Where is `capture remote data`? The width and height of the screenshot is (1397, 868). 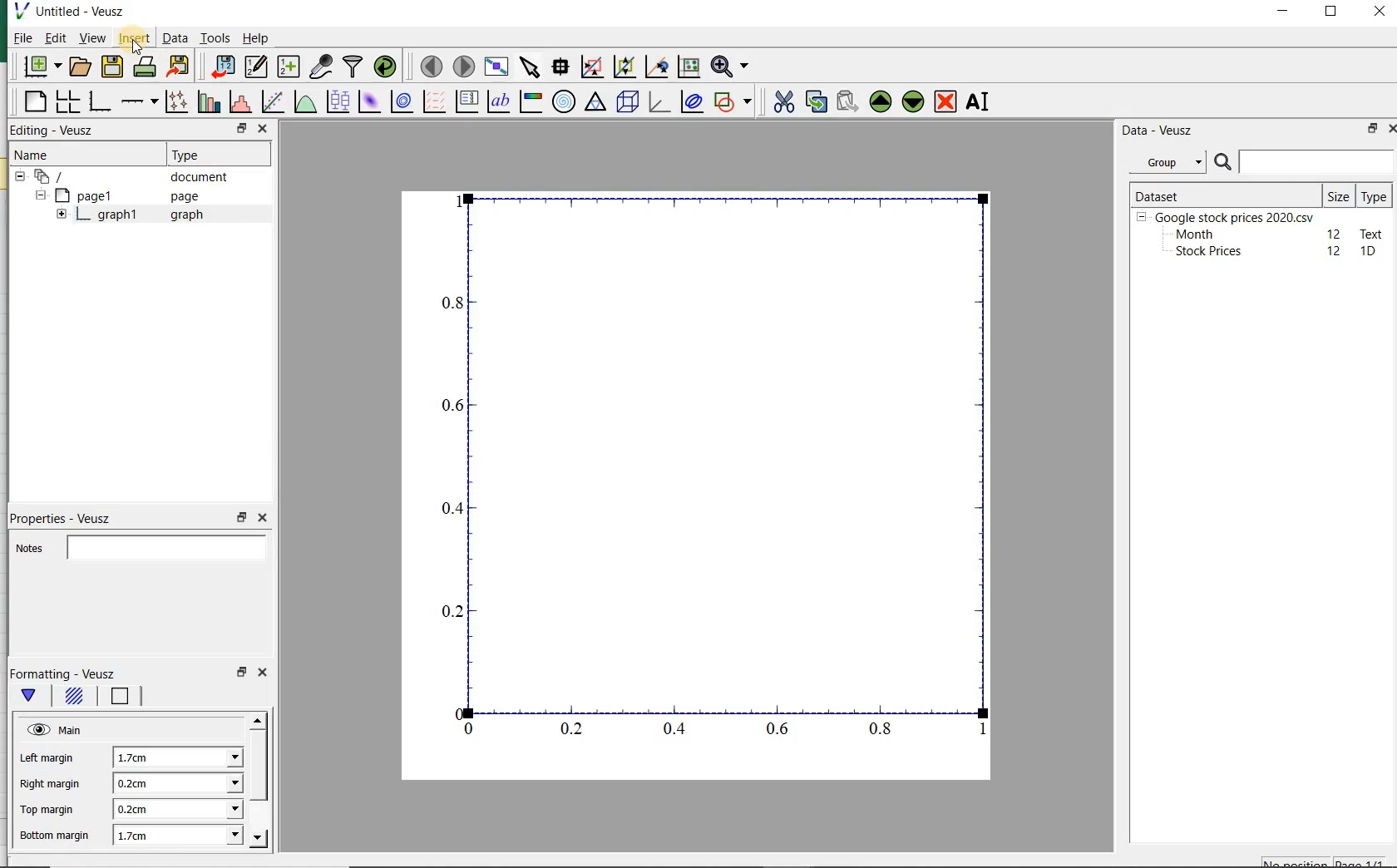
capture remote data is located at coordinates (321, 67).